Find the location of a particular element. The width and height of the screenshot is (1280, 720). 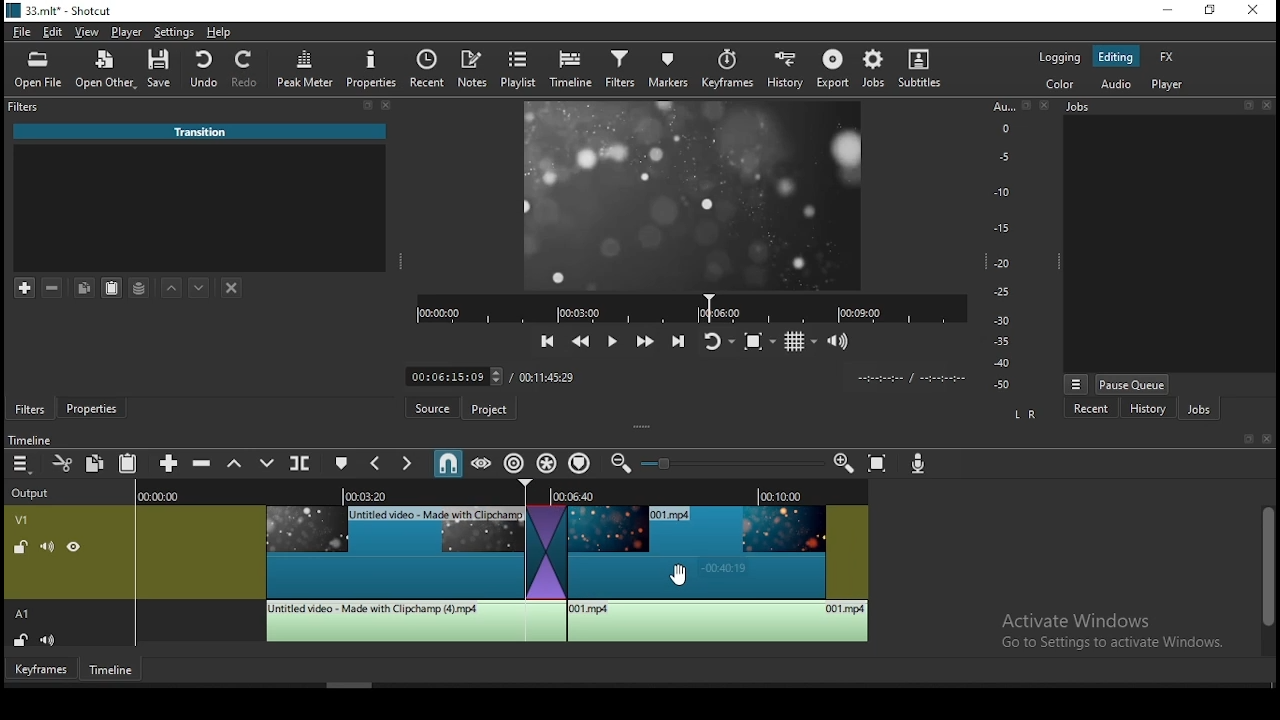

keyframe is located at coordinates (39, 671).